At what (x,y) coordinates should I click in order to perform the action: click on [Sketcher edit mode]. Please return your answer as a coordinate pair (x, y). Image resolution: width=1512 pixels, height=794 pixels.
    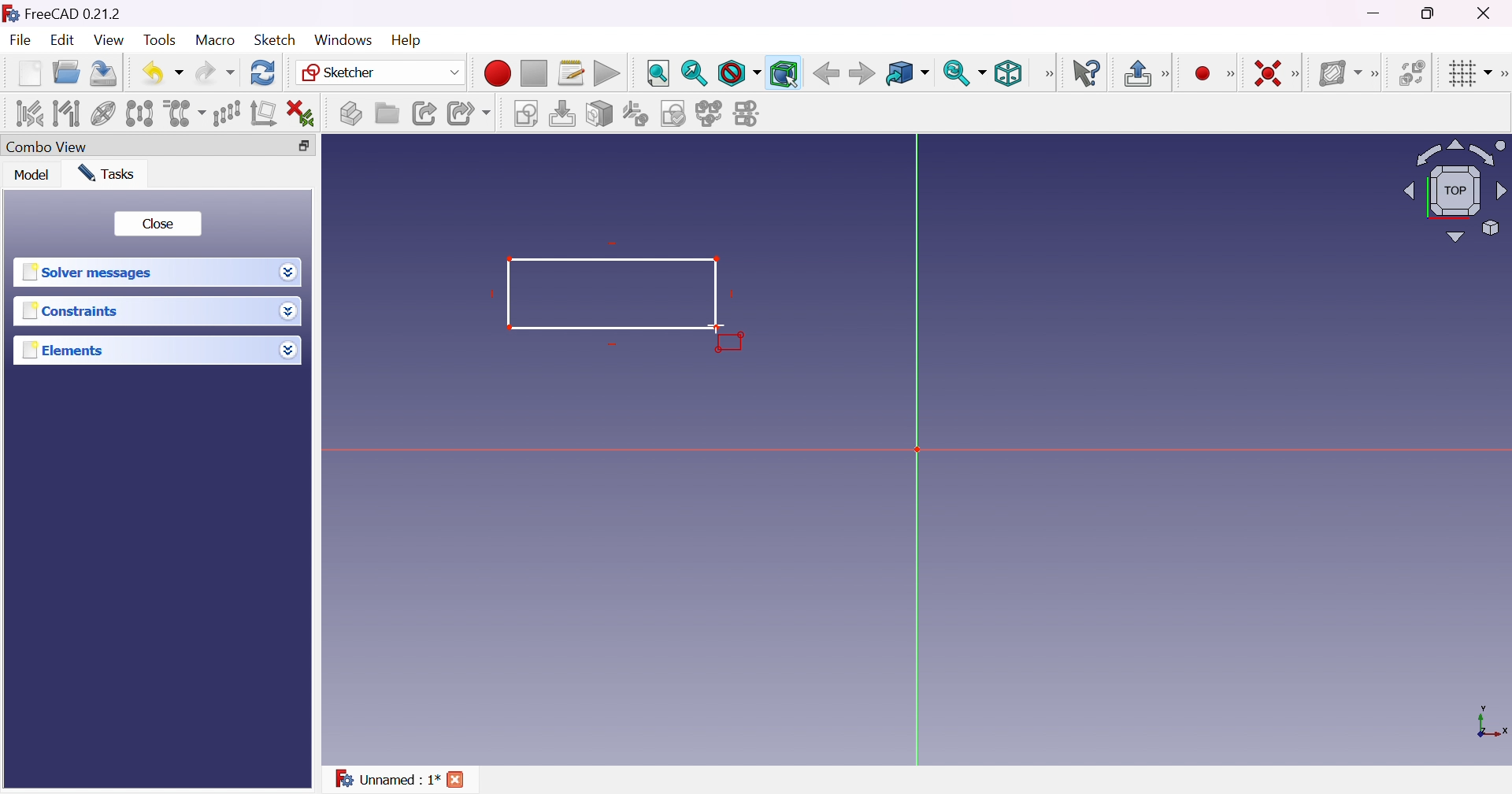
    Looking at the image, I should click on (1168, 72).